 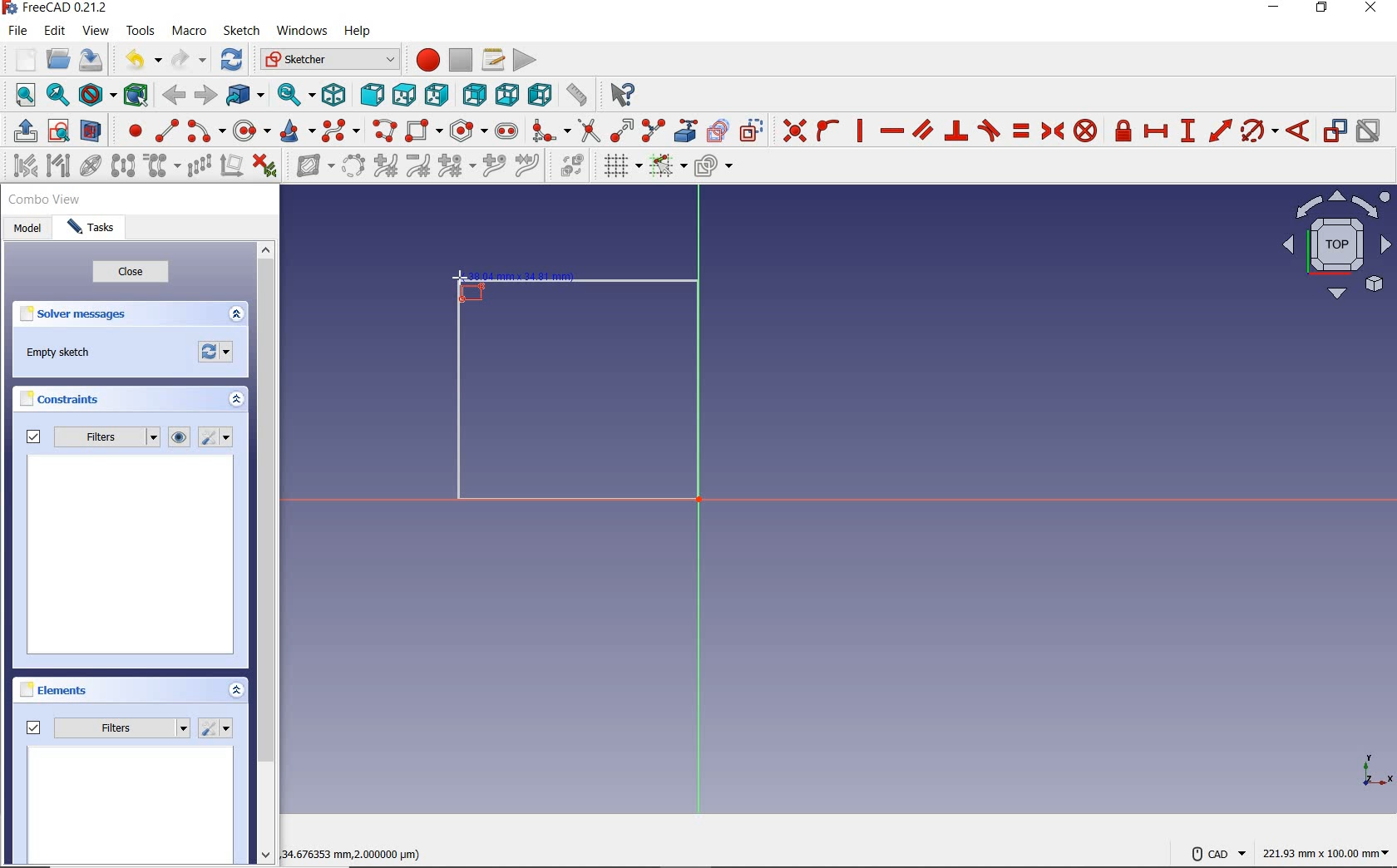 I want to click on expand, so click(x=238, y=692).